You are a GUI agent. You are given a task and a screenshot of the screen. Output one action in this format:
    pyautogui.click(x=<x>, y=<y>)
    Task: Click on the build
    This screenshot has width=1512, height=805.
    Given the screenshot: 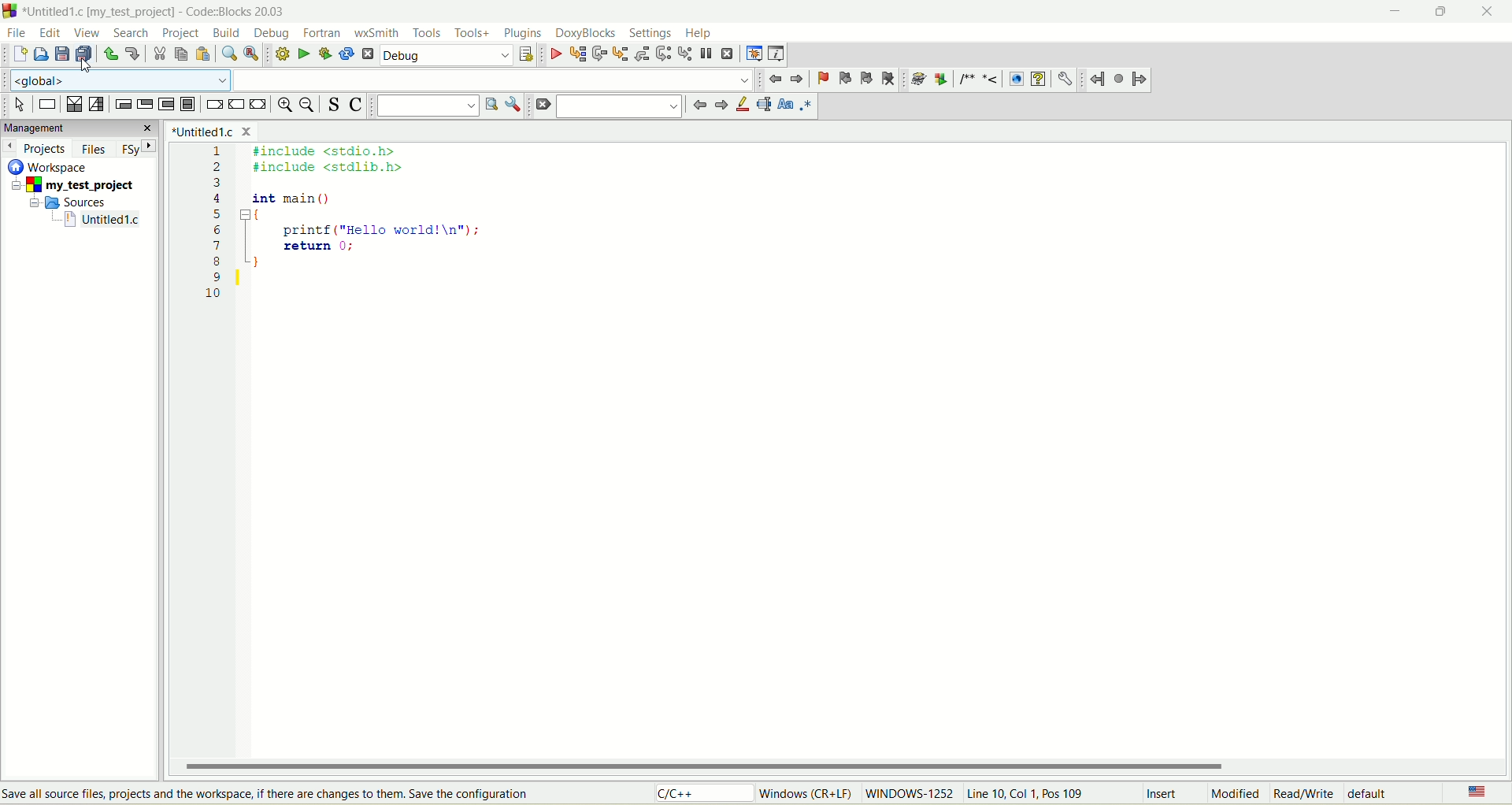 What is the action you would take?
    pyautogui.click(x=279, y=54)
    